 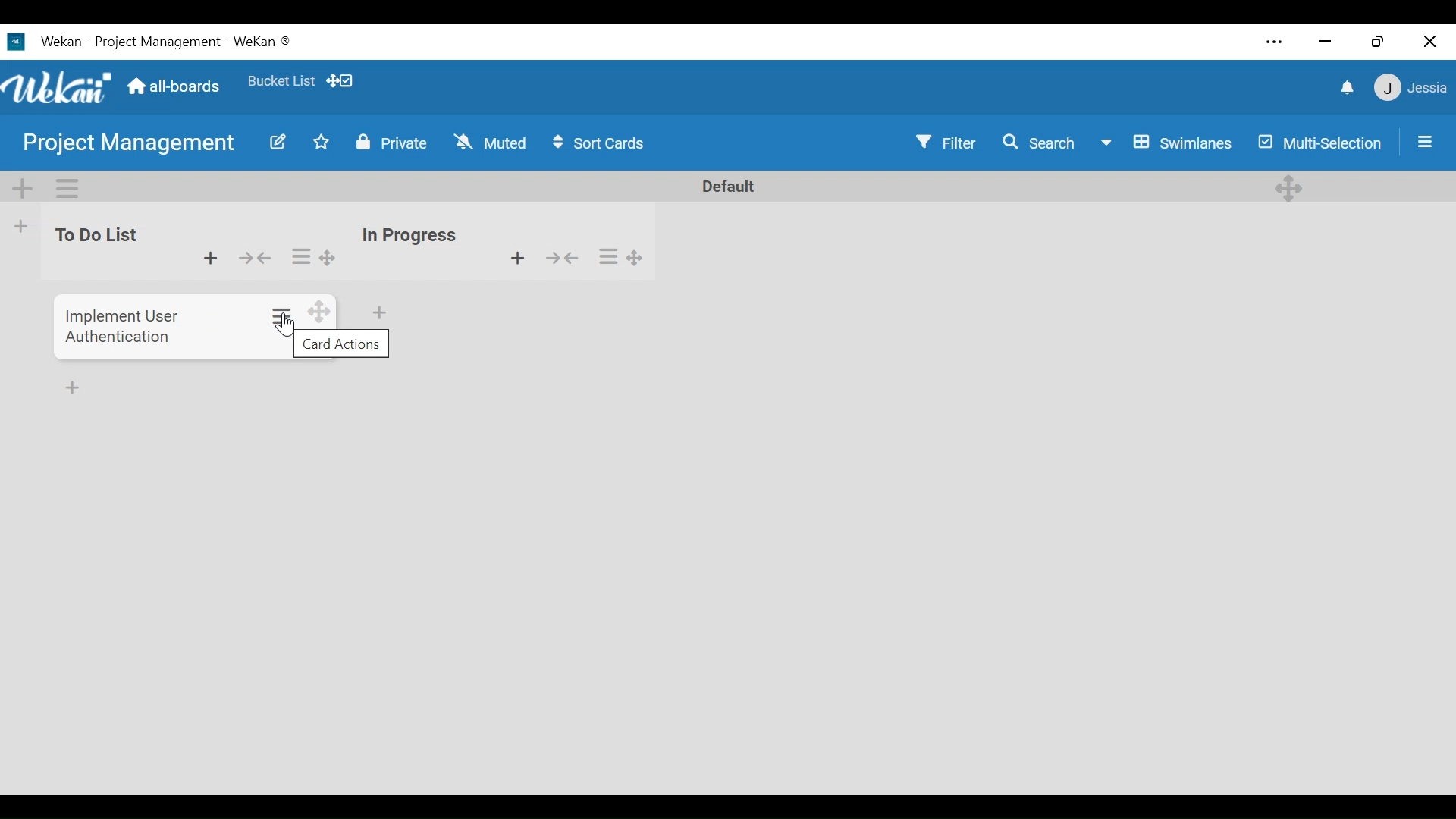 What do you see at coordinates (14, 42) in the screenshot?
I see `wekan logo` at bounding box center [14, 42].